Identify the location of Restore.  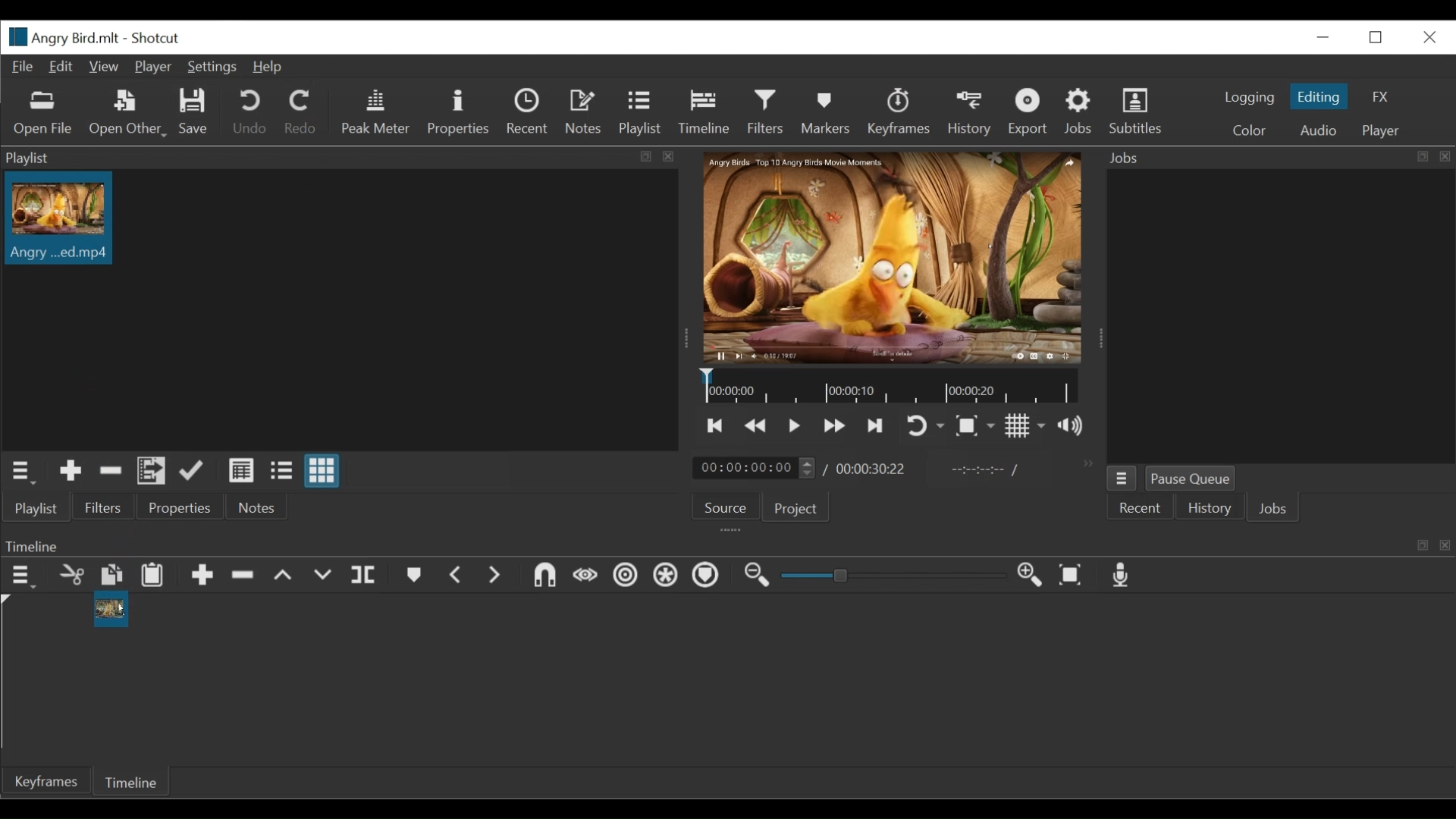
(1379, 37).